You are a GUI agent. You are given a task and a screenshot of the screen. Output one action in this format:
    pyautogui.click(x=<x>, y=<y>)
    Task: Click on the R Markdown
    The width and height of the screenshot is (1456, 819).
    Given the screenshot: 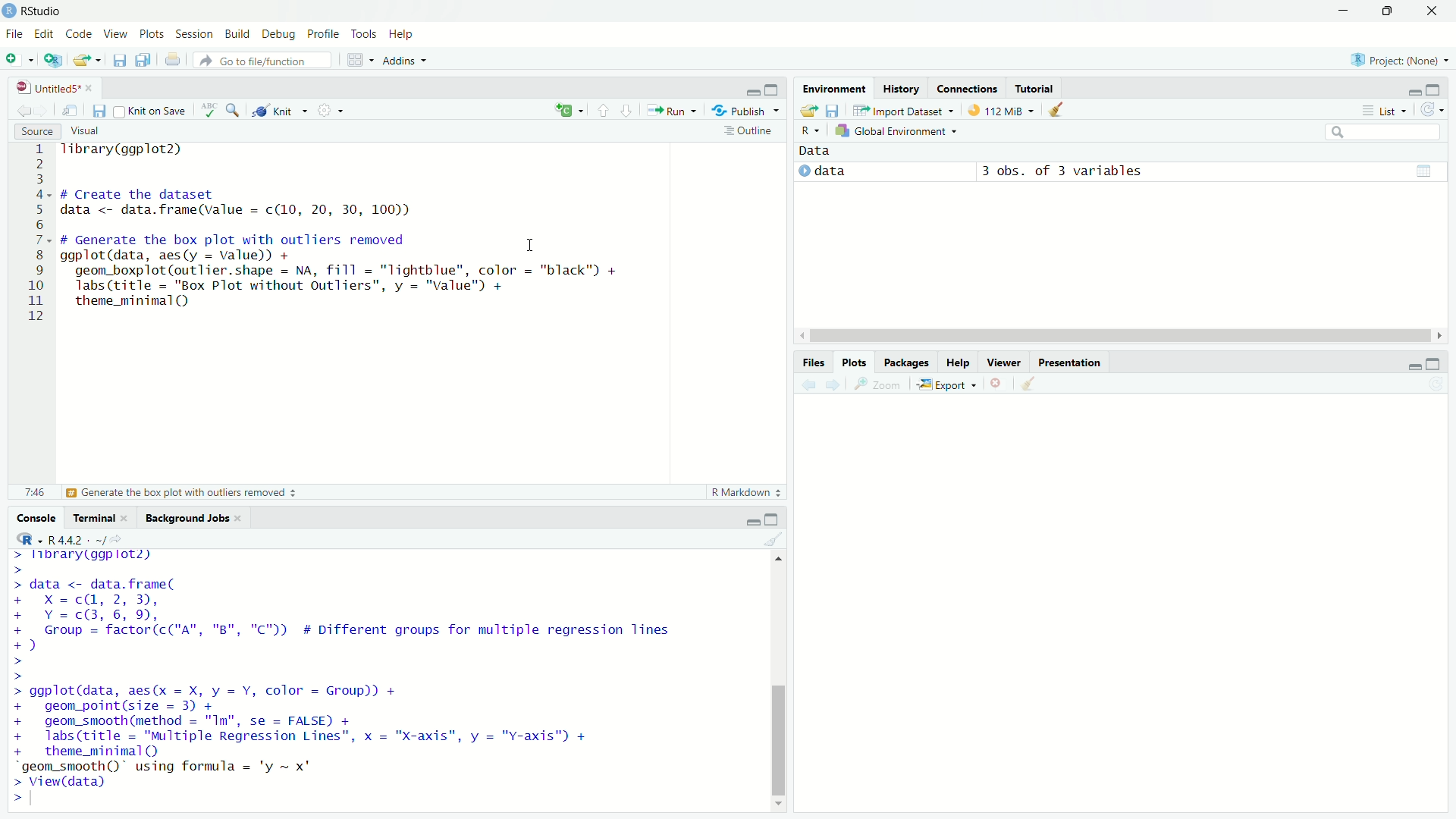 What is the action you would take?
    pyautogui.click(x=739, y=491)
    